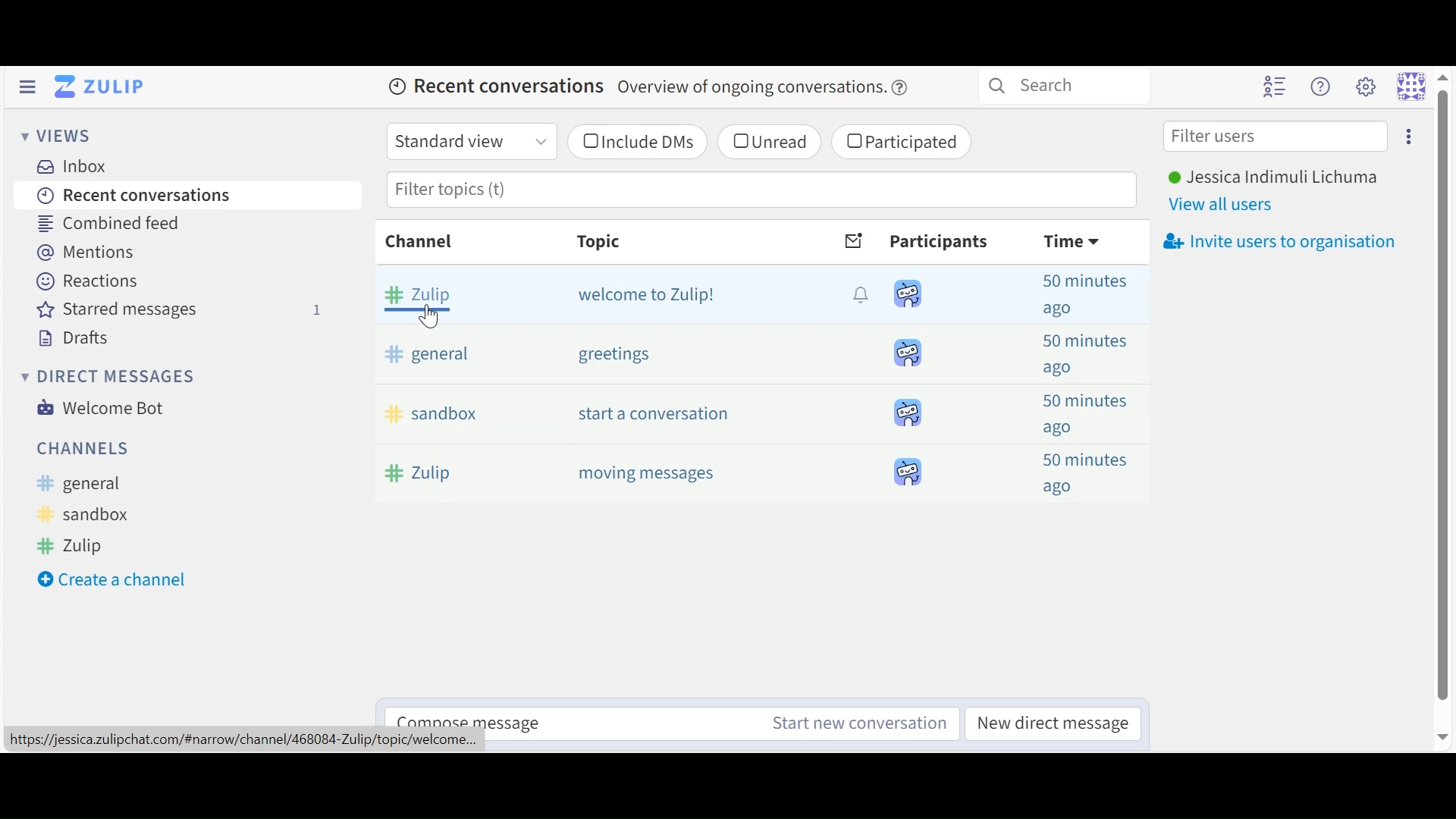 The image size is (1456, 819). Describe the element at coordinates (55, 135) in the screenshot. I see `Views` at that location.